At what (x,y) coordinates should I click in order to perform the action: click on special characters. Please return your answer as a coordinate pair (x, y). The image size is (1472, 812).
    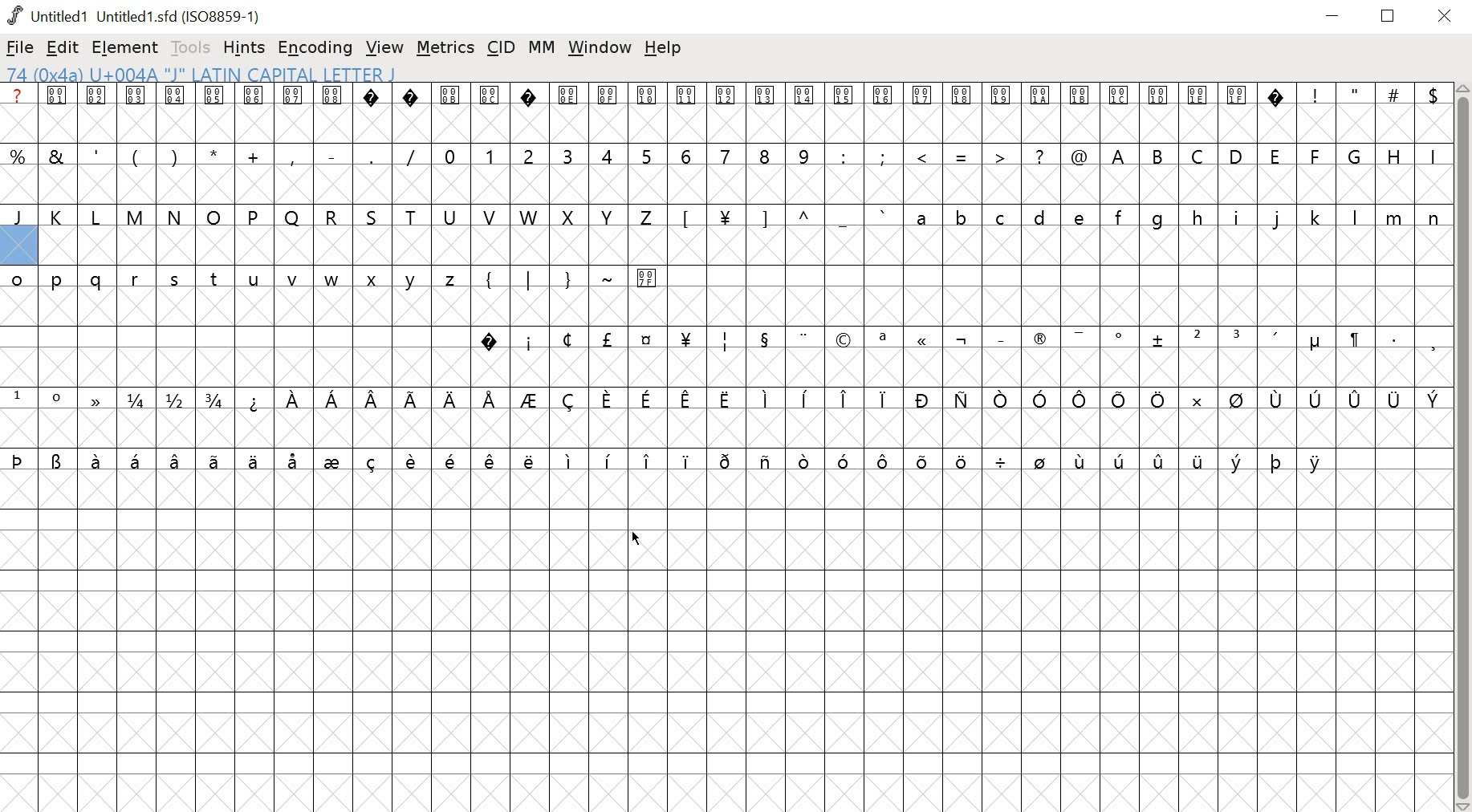
    Looking at the image, I should click on (1368, 95).